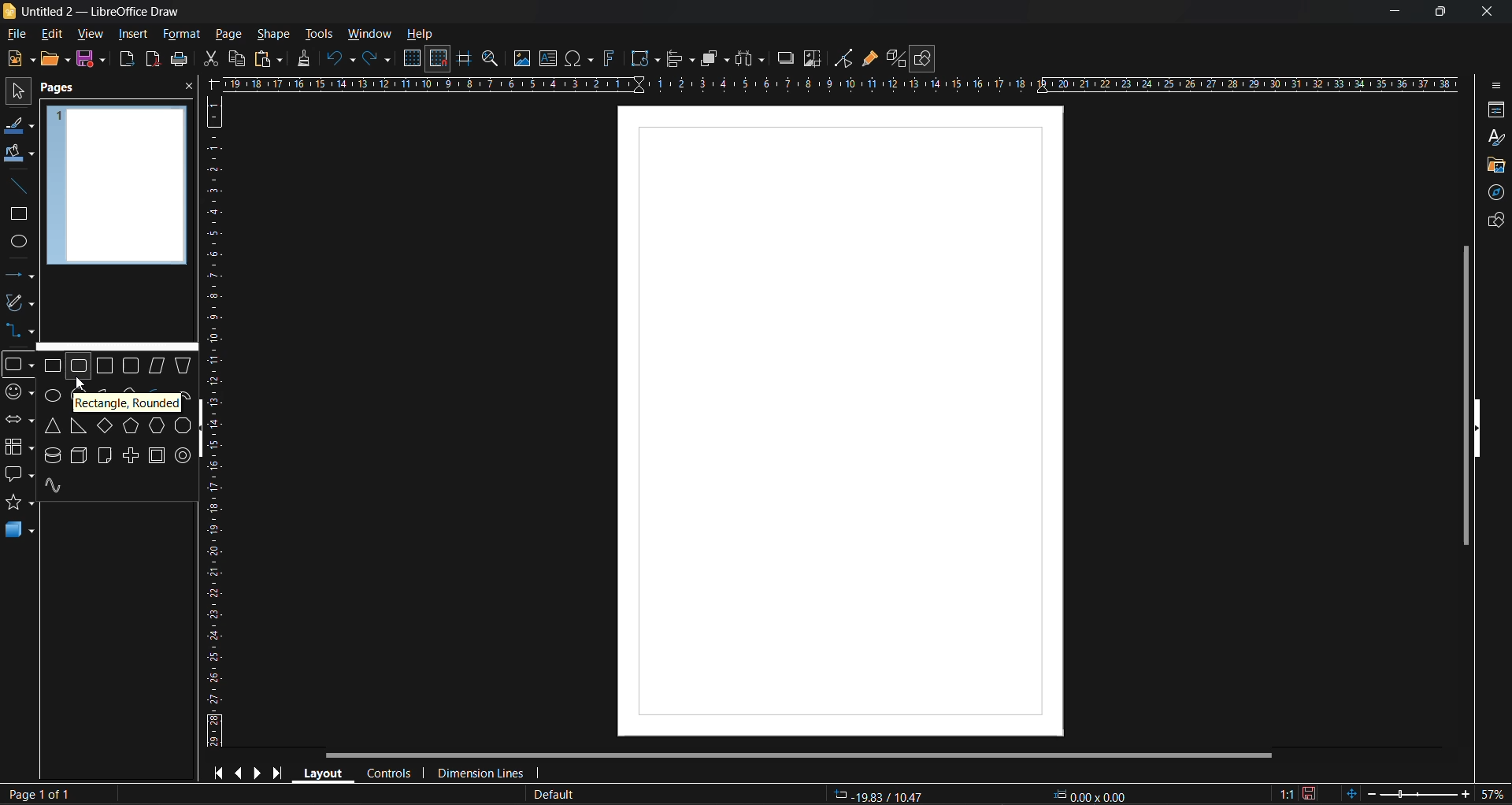  I want to click on diamond, so click(105, 425).